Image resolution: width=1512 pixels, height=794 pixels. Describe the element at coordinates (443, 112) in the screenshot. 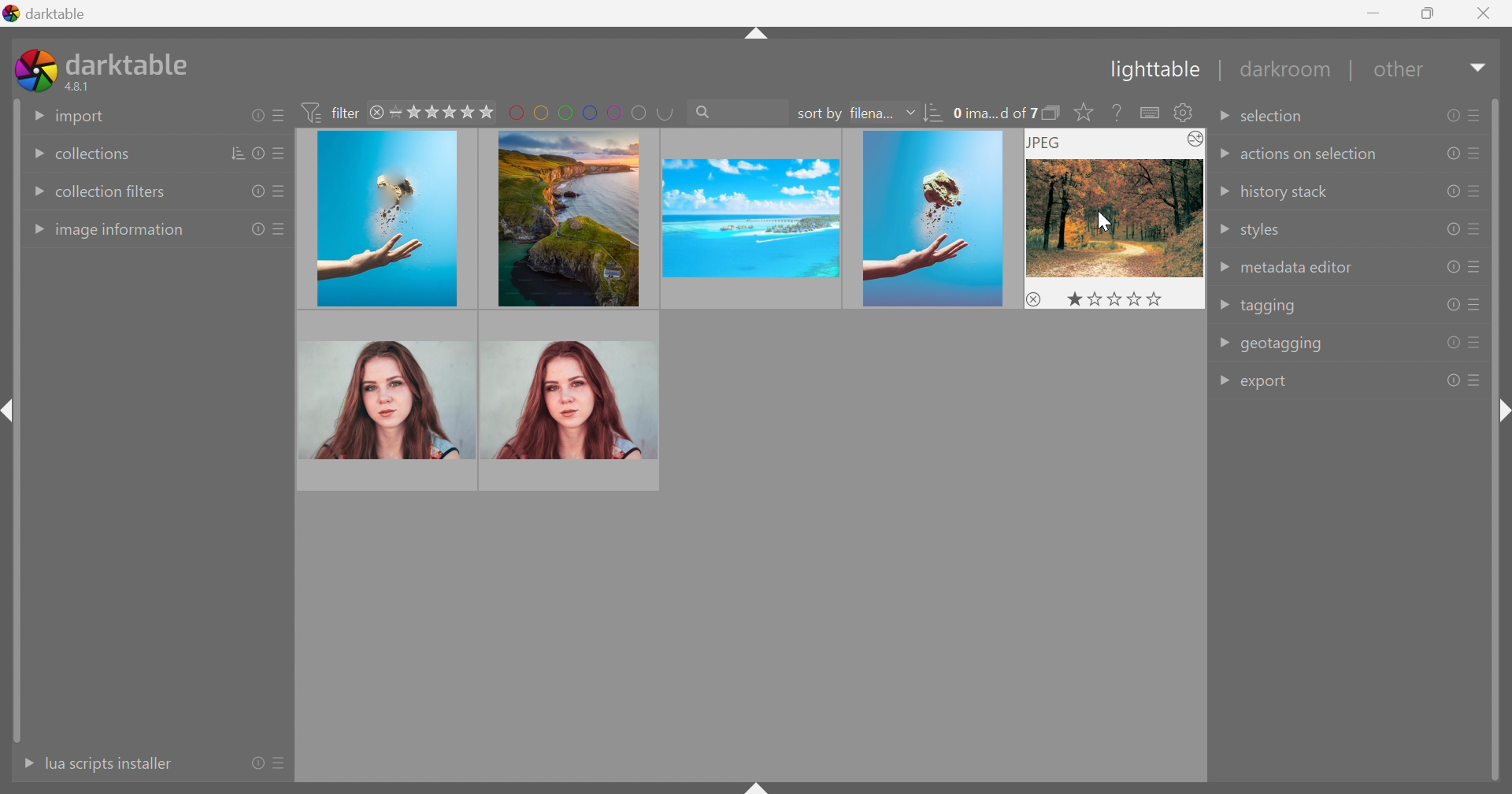

I see `range rating` at that location.